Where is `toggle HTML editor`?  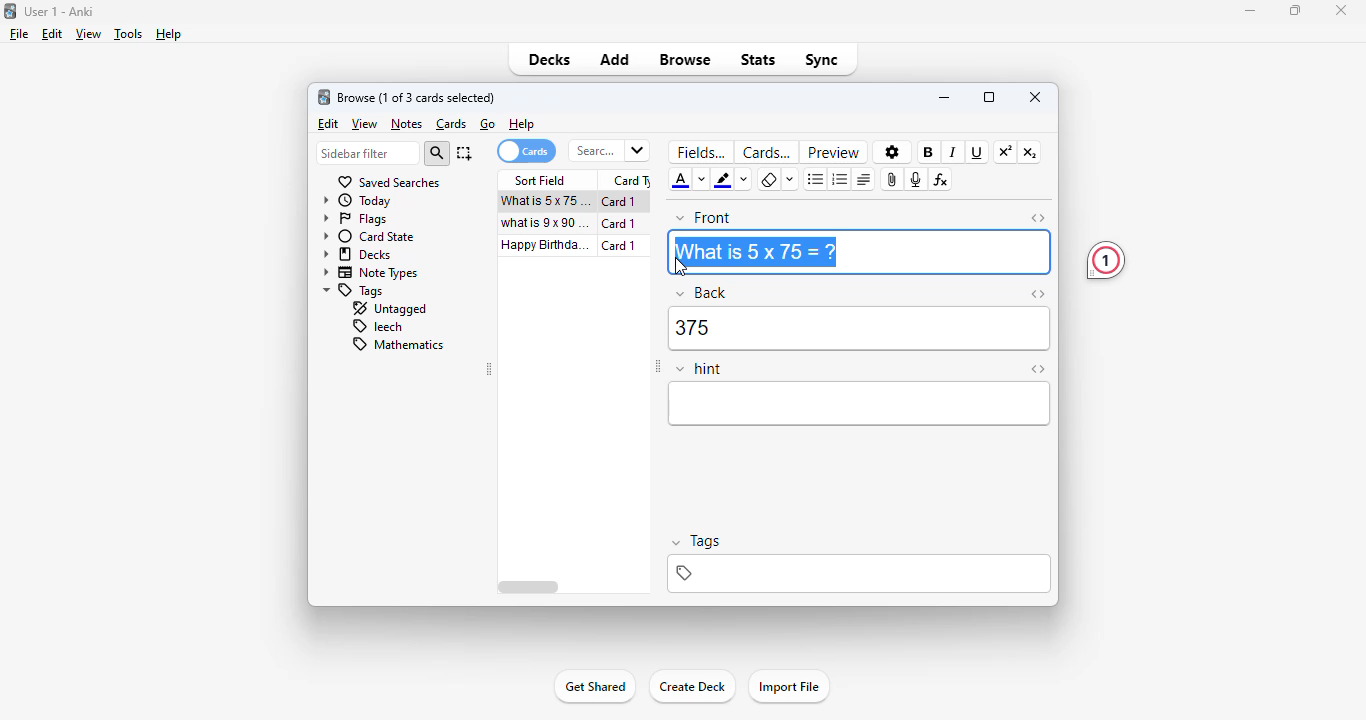 toggle HTML editor is located at coordinates (1038, 218).